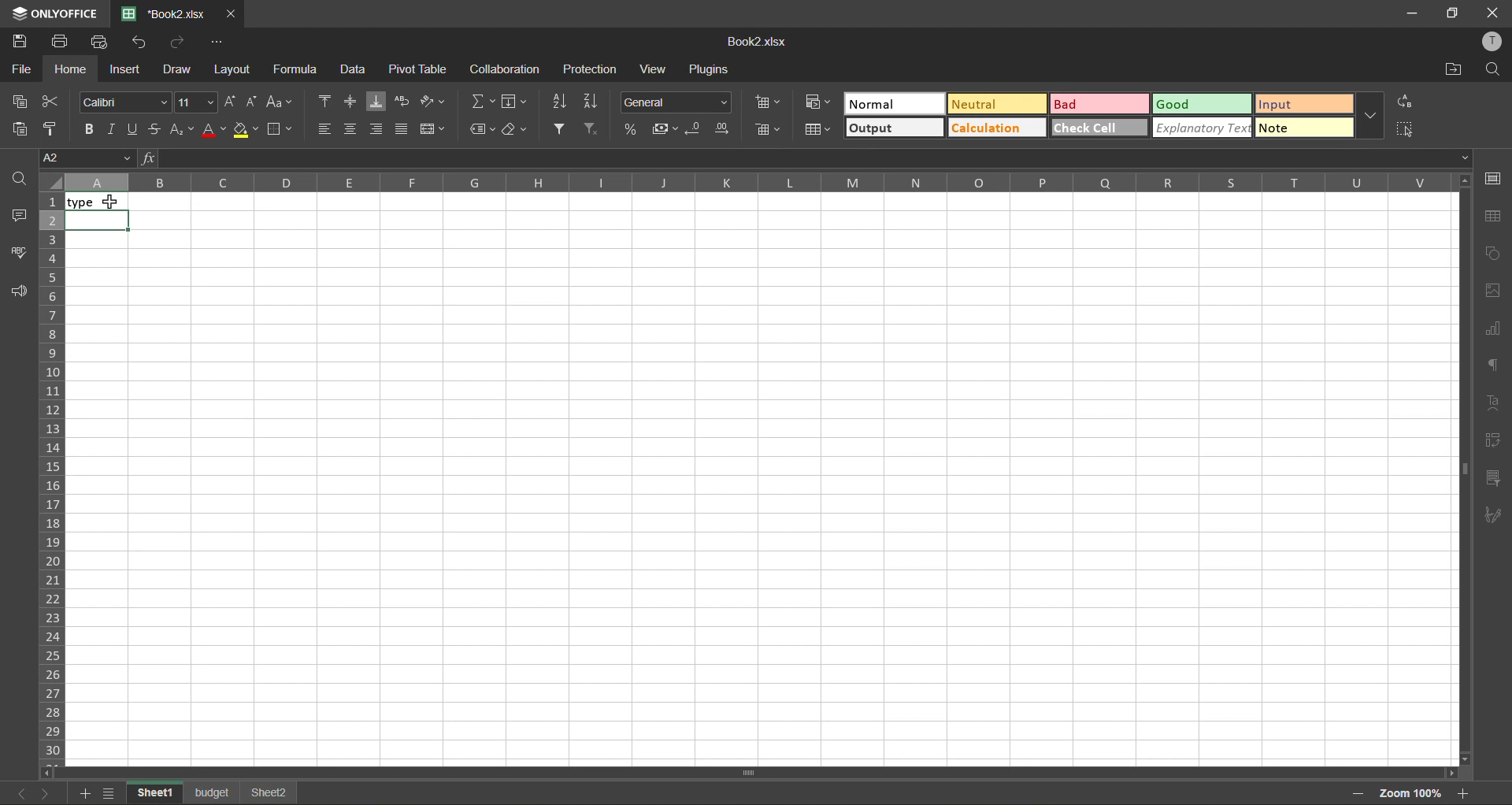 The width and height of the screenshot is (1512, 805). Describe the element at coordinates (217, 42) in the screenshot. I see `customize quick access toolbar` at that location.